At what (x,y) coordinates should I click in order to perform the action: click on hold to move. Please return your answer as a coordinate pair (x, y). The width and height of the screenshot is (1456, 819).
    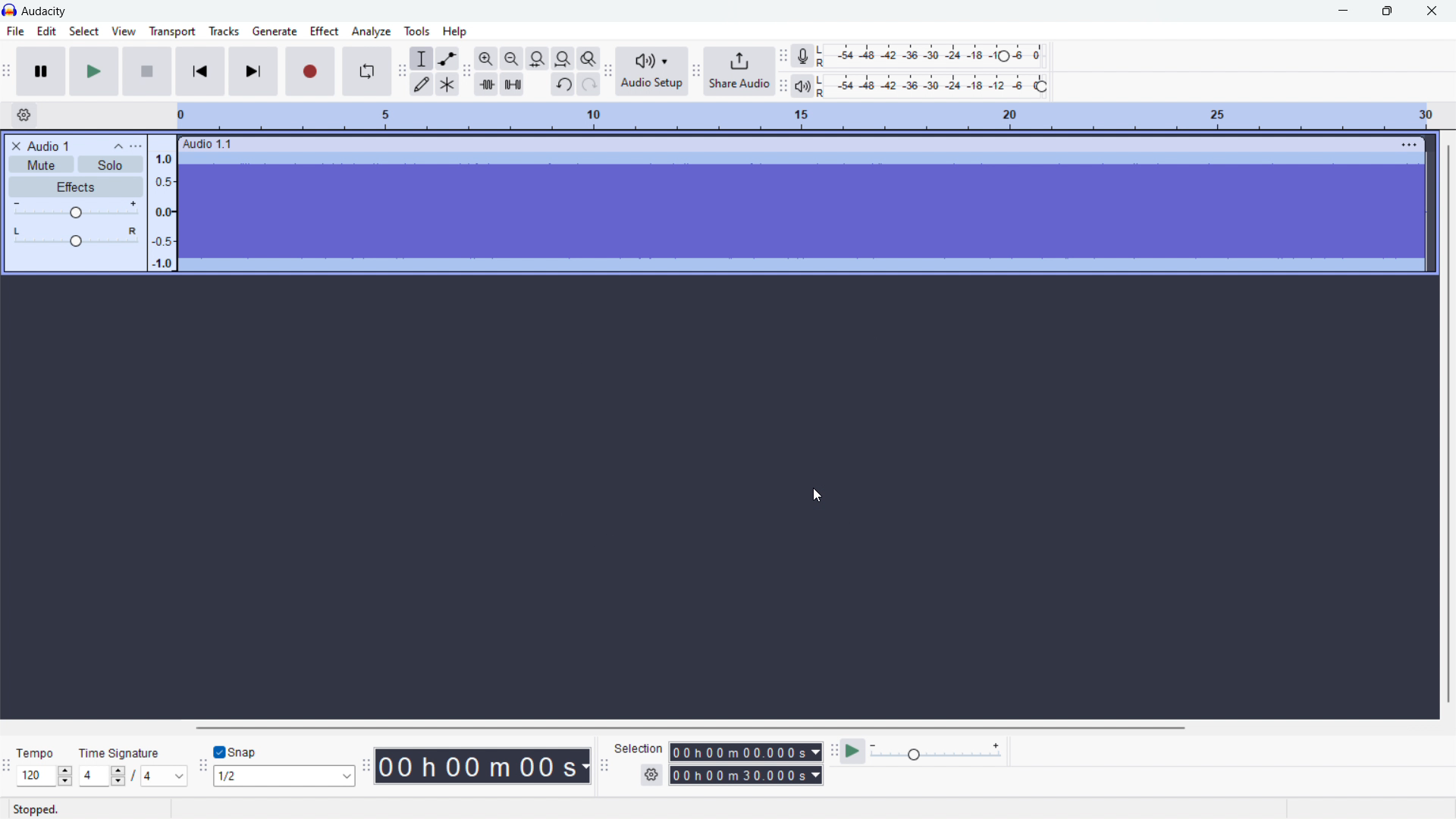
    Looking at the image, I should click on (782, 143).